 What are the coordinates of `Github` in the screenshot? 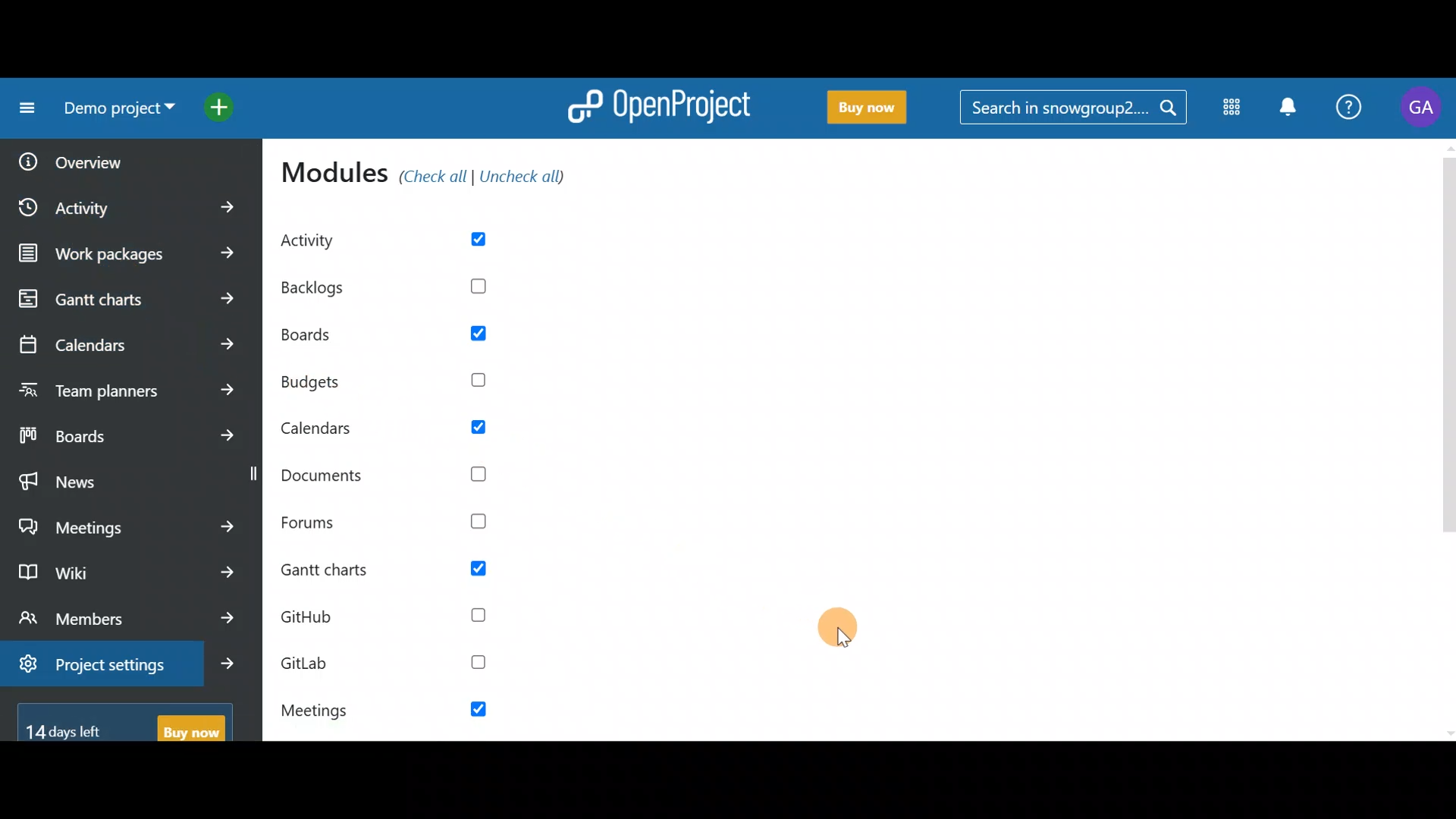 It's located at (382, 623).